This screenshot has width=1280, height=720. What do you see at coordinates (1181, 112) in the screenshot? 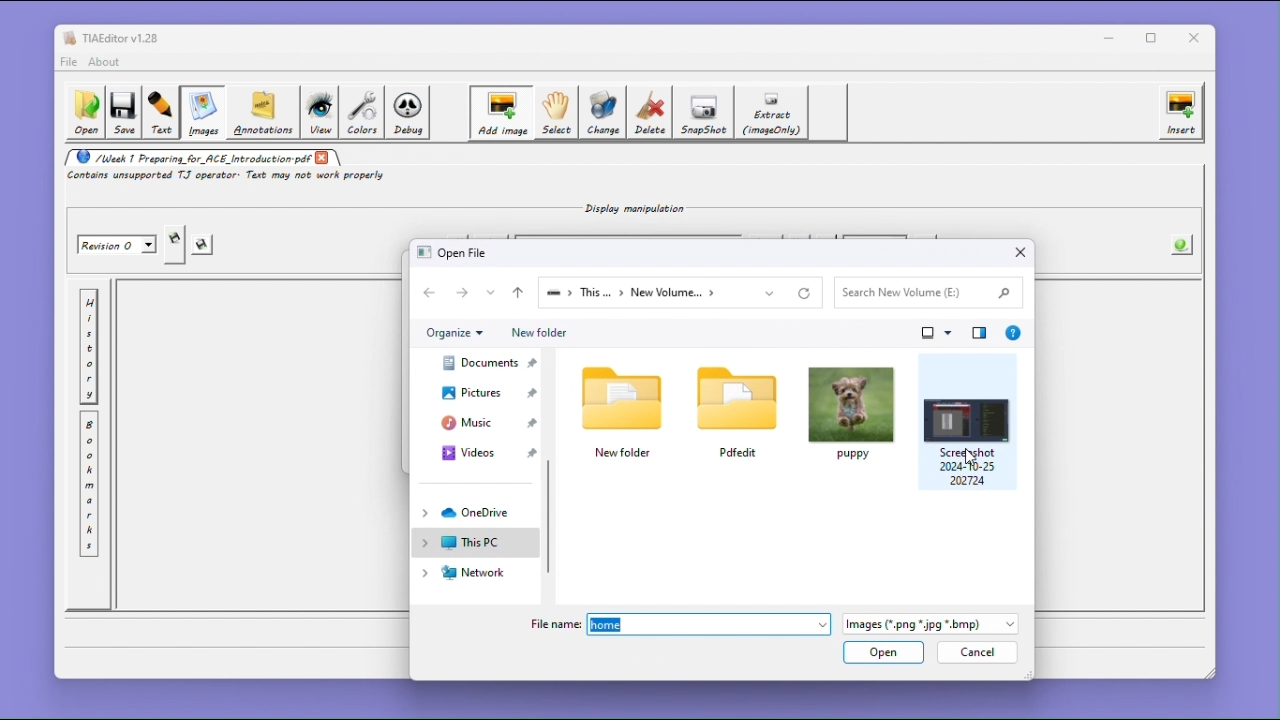
I see `insert` at bounding box center [1181, 112].